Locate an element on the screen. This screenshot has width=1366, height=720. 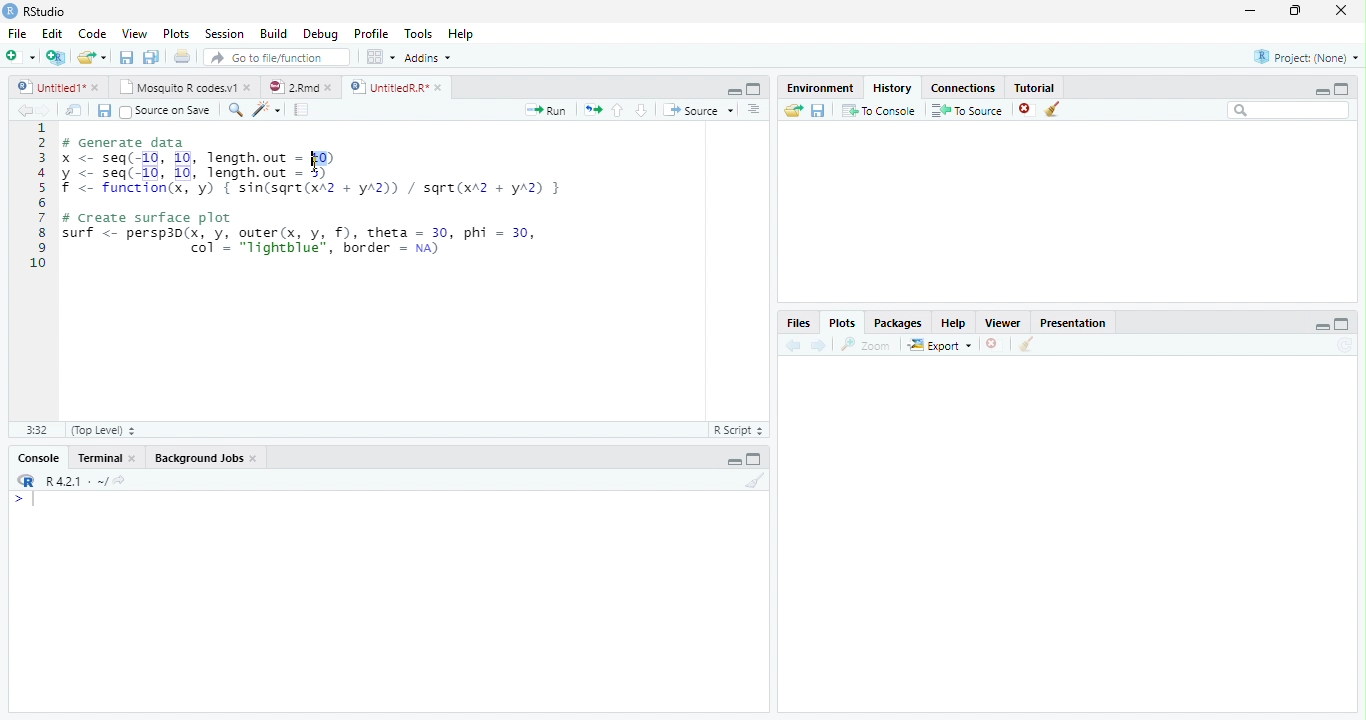
Re-run the previous code region is located at coordinates (592, 109).